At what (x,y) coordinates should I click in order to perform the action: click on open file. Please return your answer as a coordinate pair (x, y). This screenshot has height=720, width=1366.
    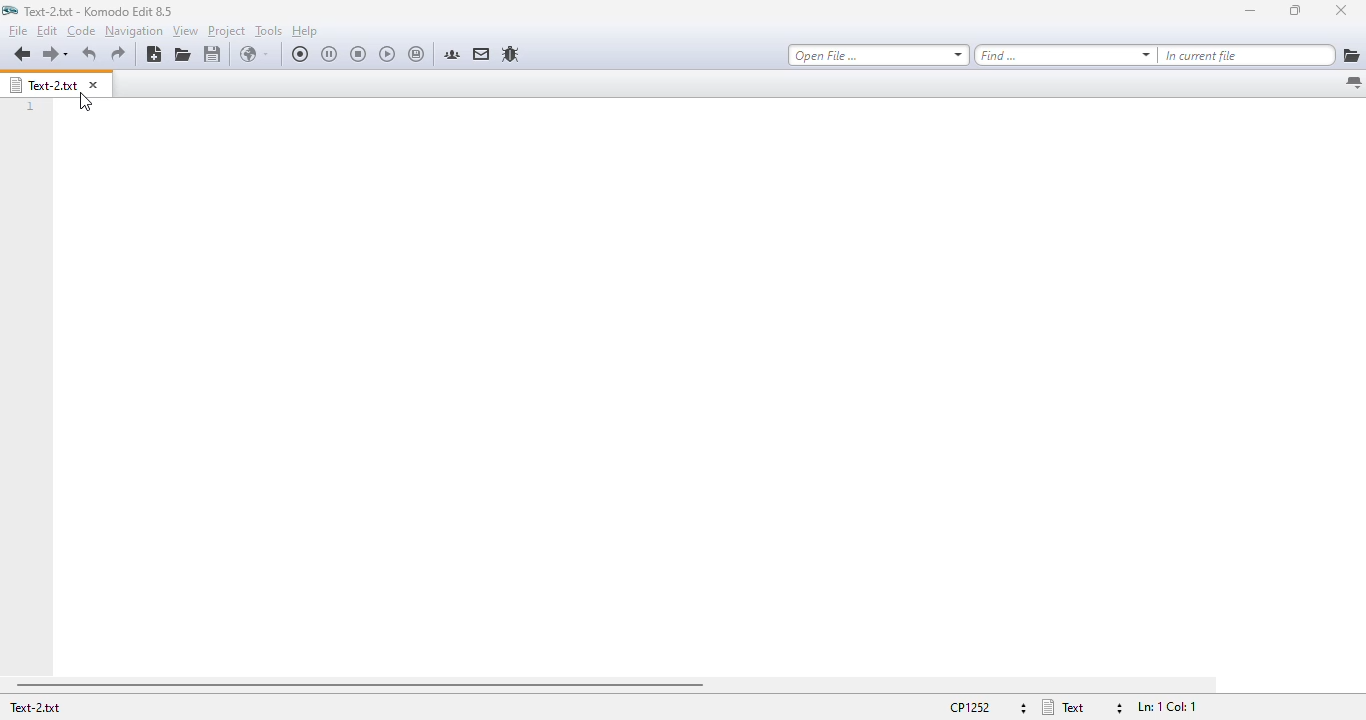
    Looking at the image, I should click on (879, 55).